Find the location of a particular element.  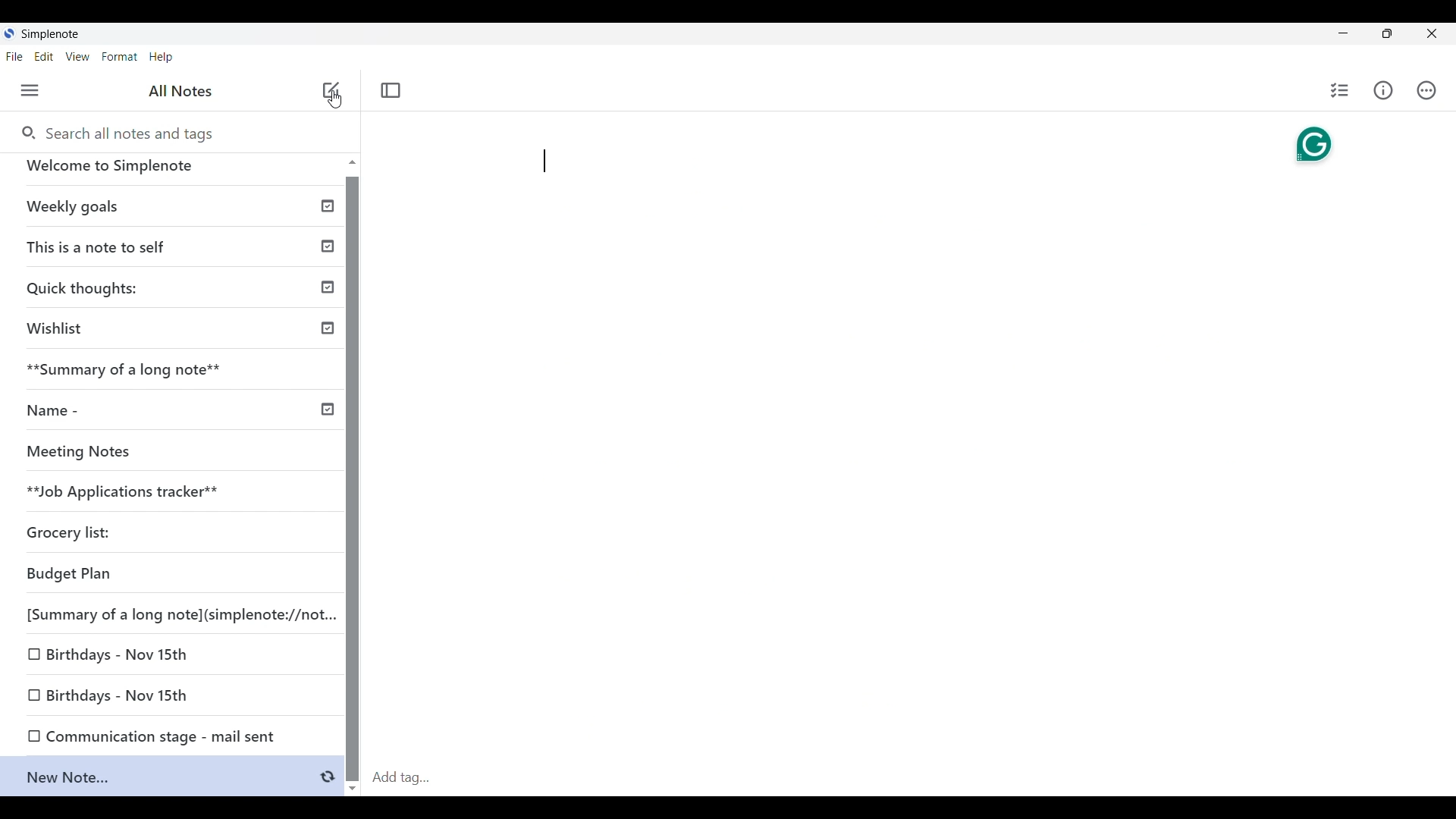

Unpublished note is located at coordinates (177, 376).